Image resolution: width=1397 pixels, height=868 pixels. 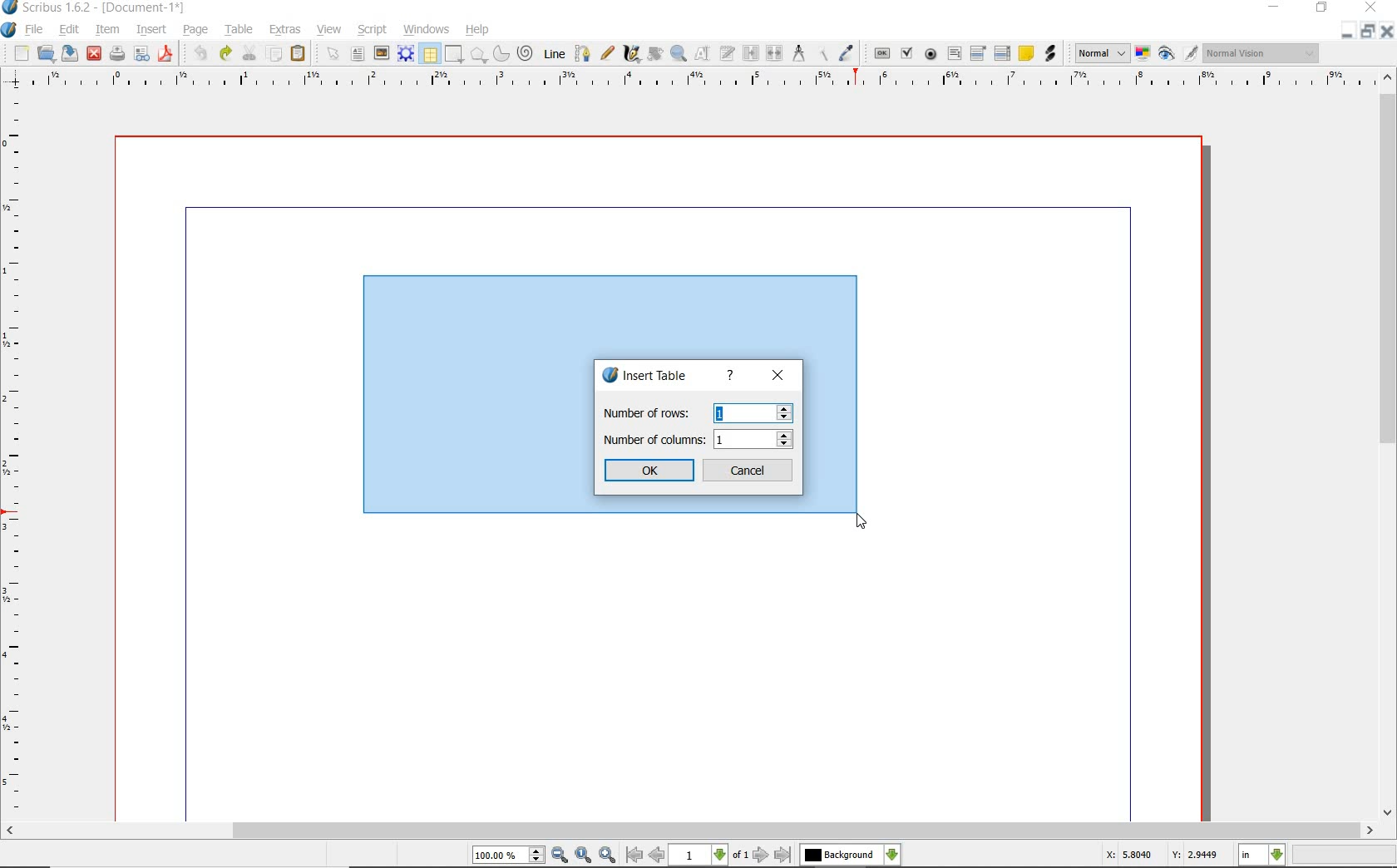 I want to click on measurements, so click(x=799, y=53).